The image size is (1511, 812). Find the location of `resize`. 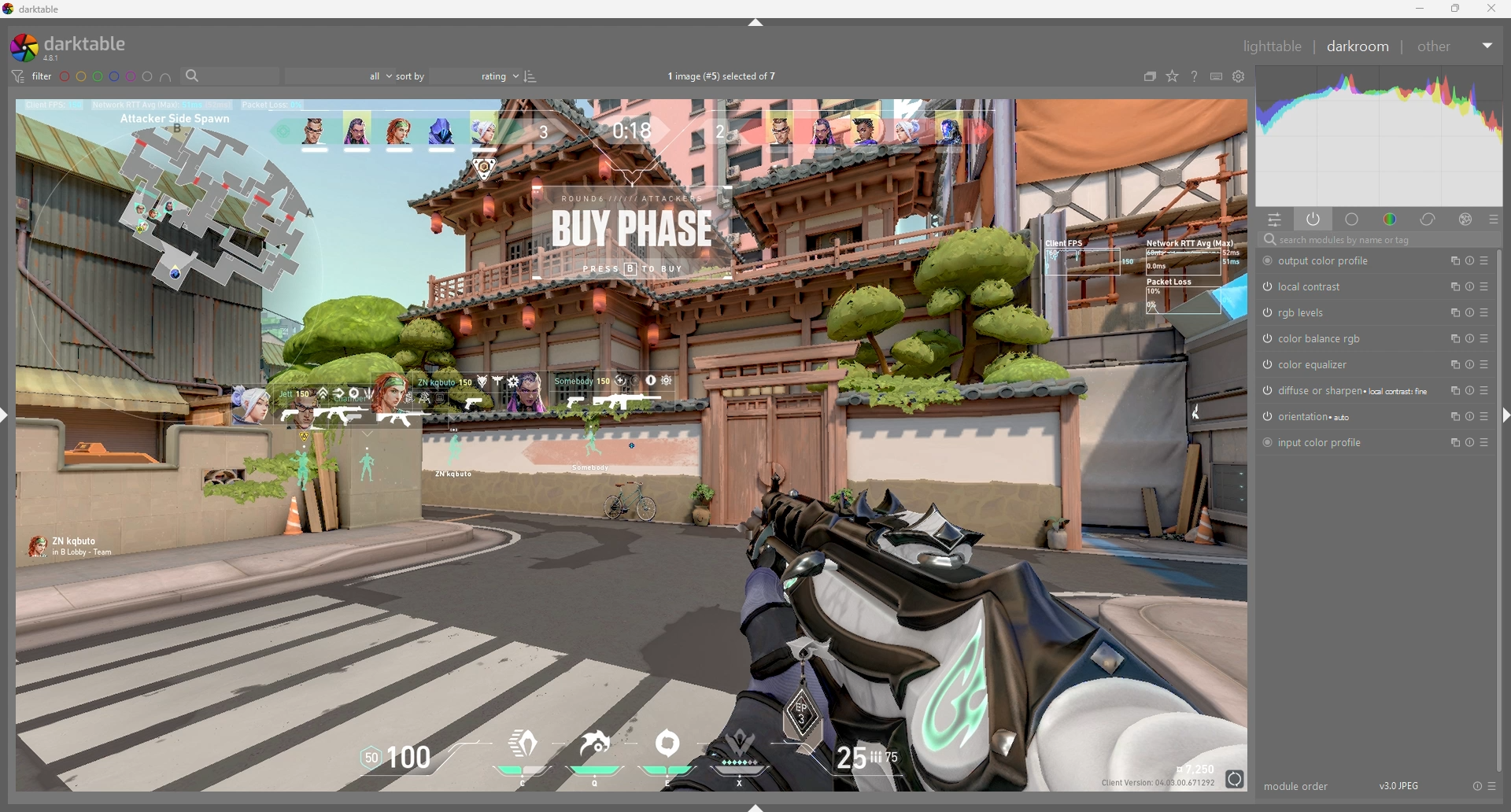

resize is located at coordinates (1456, 8).